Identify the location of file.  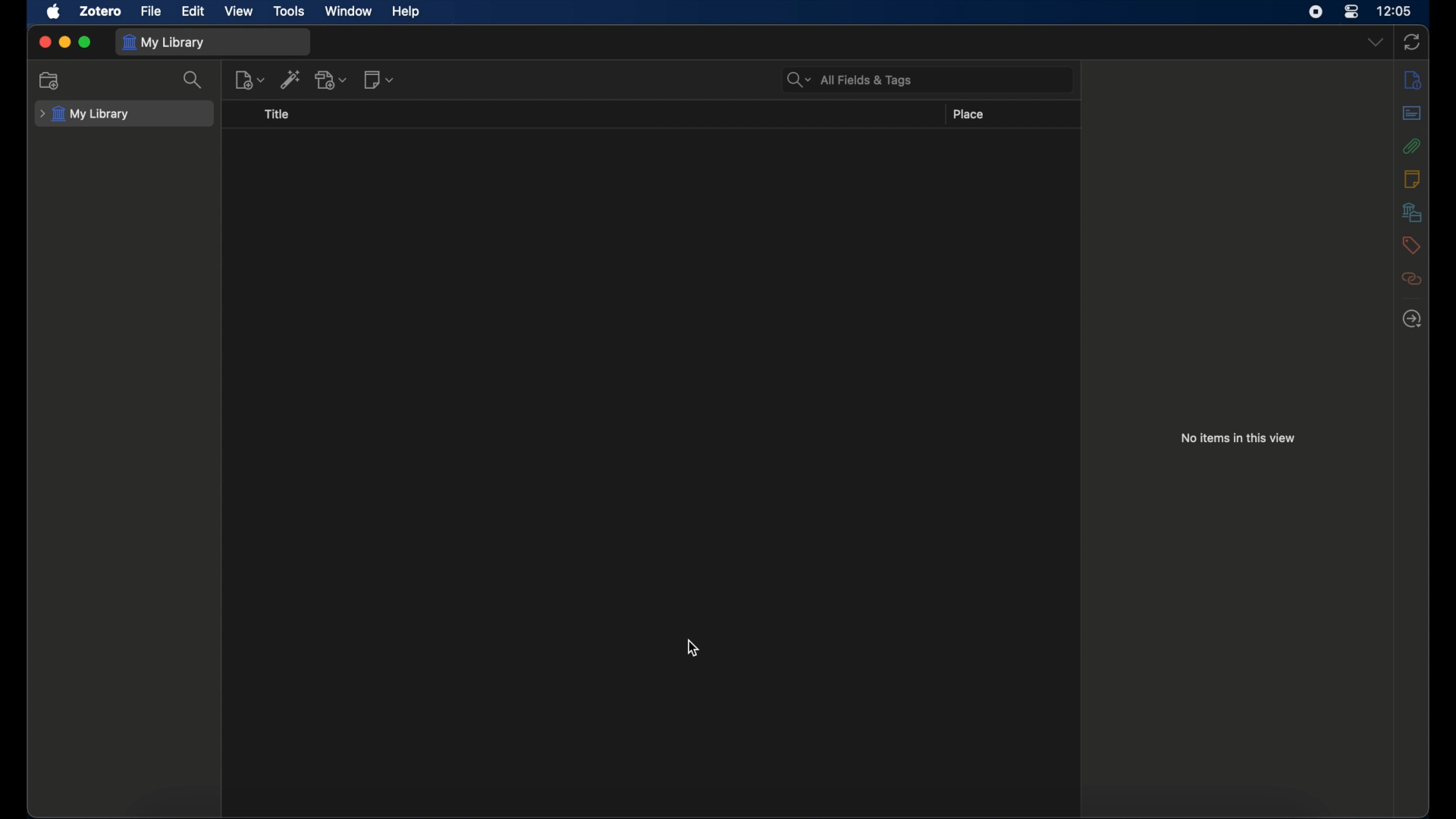
(150, 11).